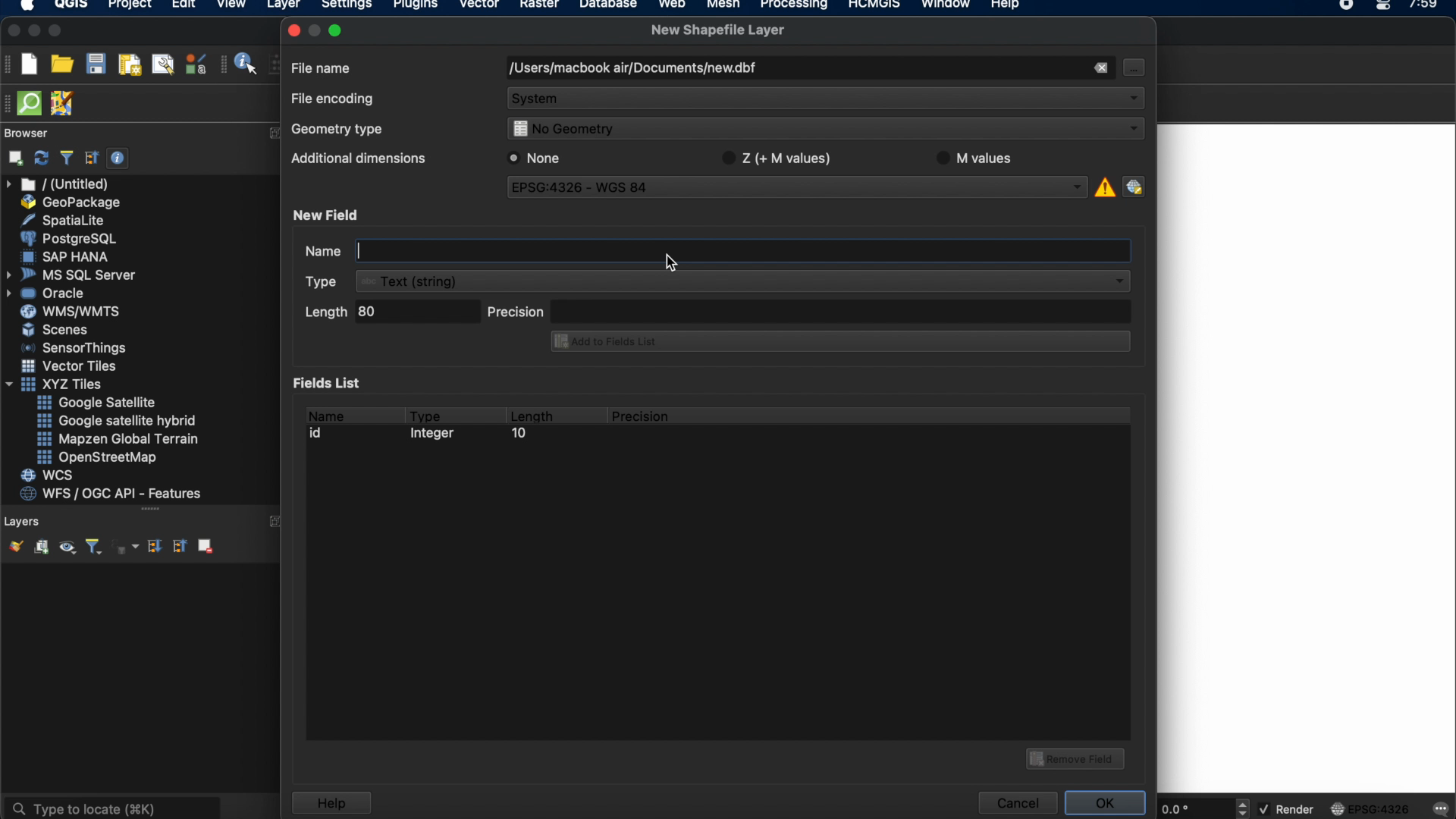 The image size is (1456, 819). What do you see at coordinates (59, 184) in the screenshot?
I see `untitled` at bounding box center [59, 184].